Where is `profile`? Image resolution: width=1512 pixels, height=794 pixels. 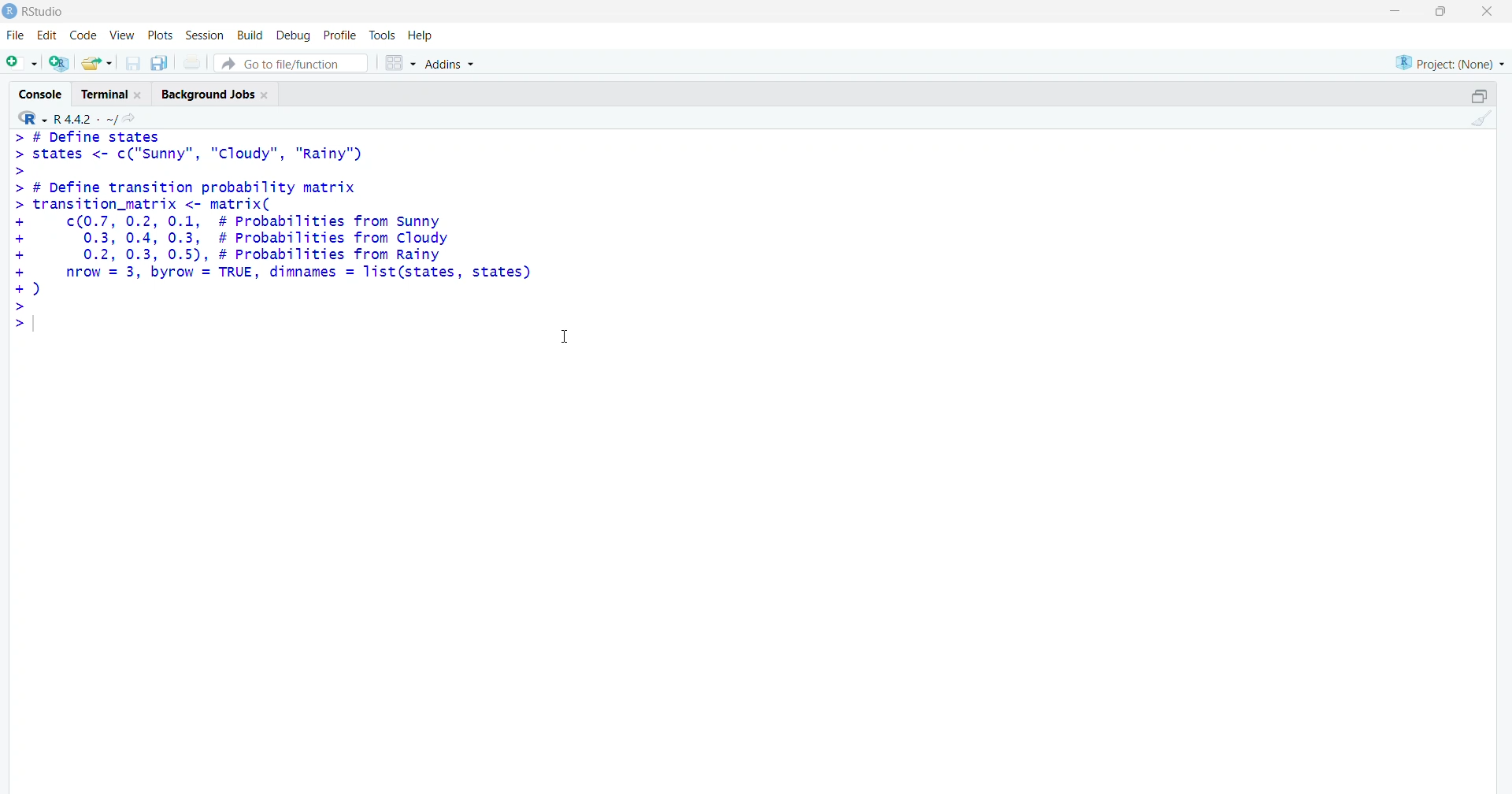
profile is located at coordinates (337, 35).